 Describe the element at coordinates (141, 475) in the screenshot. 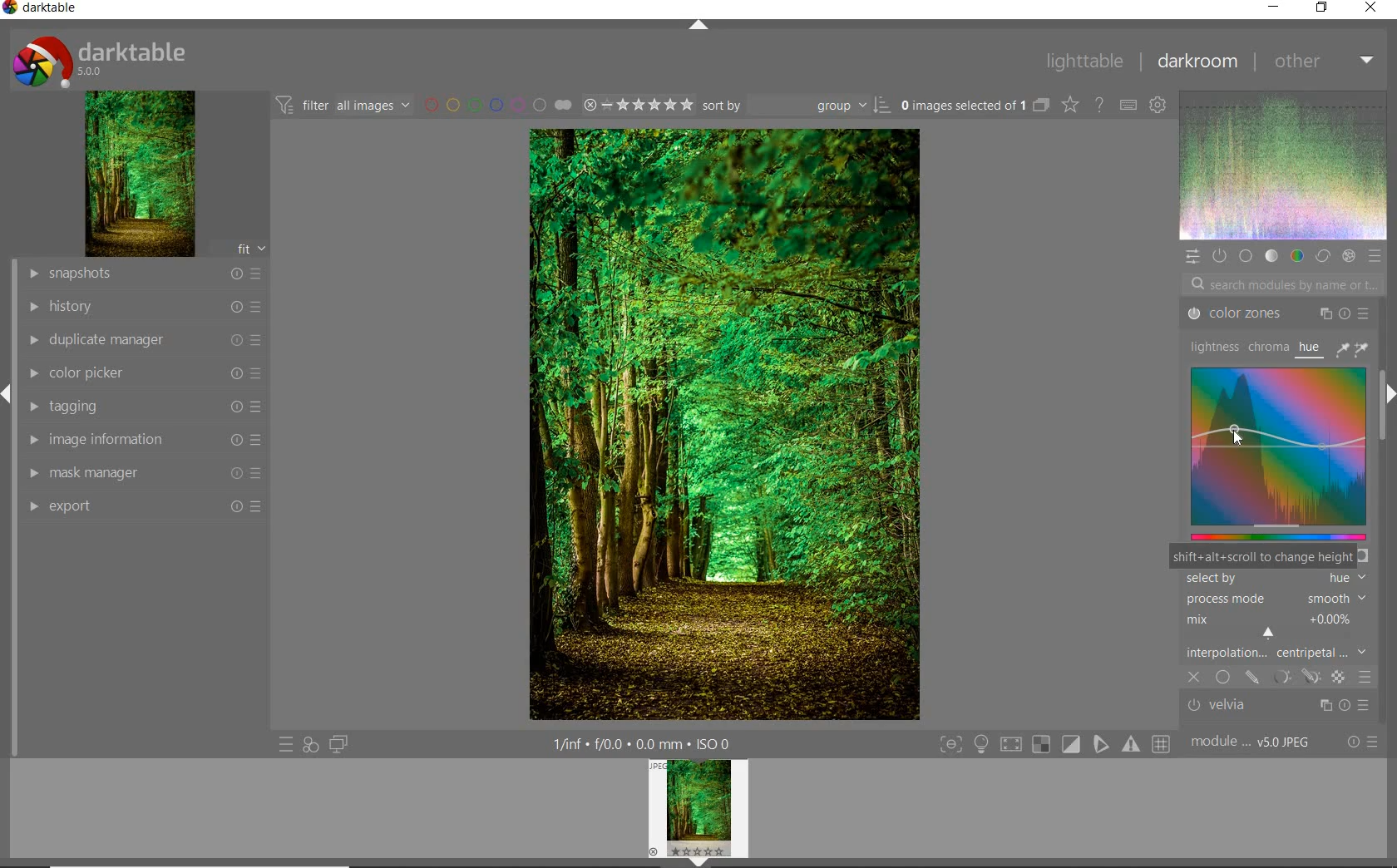

I see `MASK MANAGER` at that location.